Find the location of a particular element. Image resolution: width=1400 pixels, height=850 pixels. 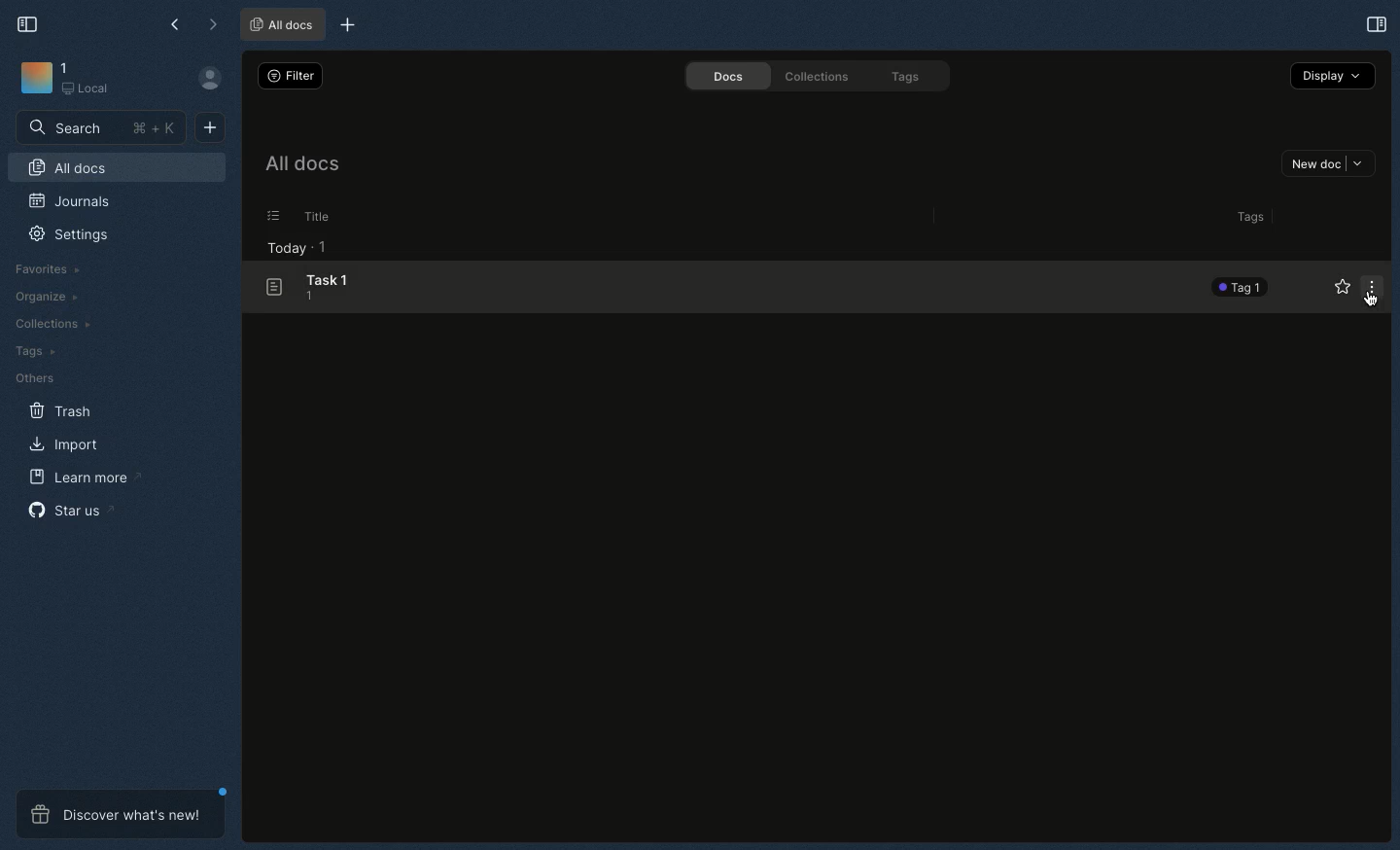

Options is located at coordinates (1370, 292).